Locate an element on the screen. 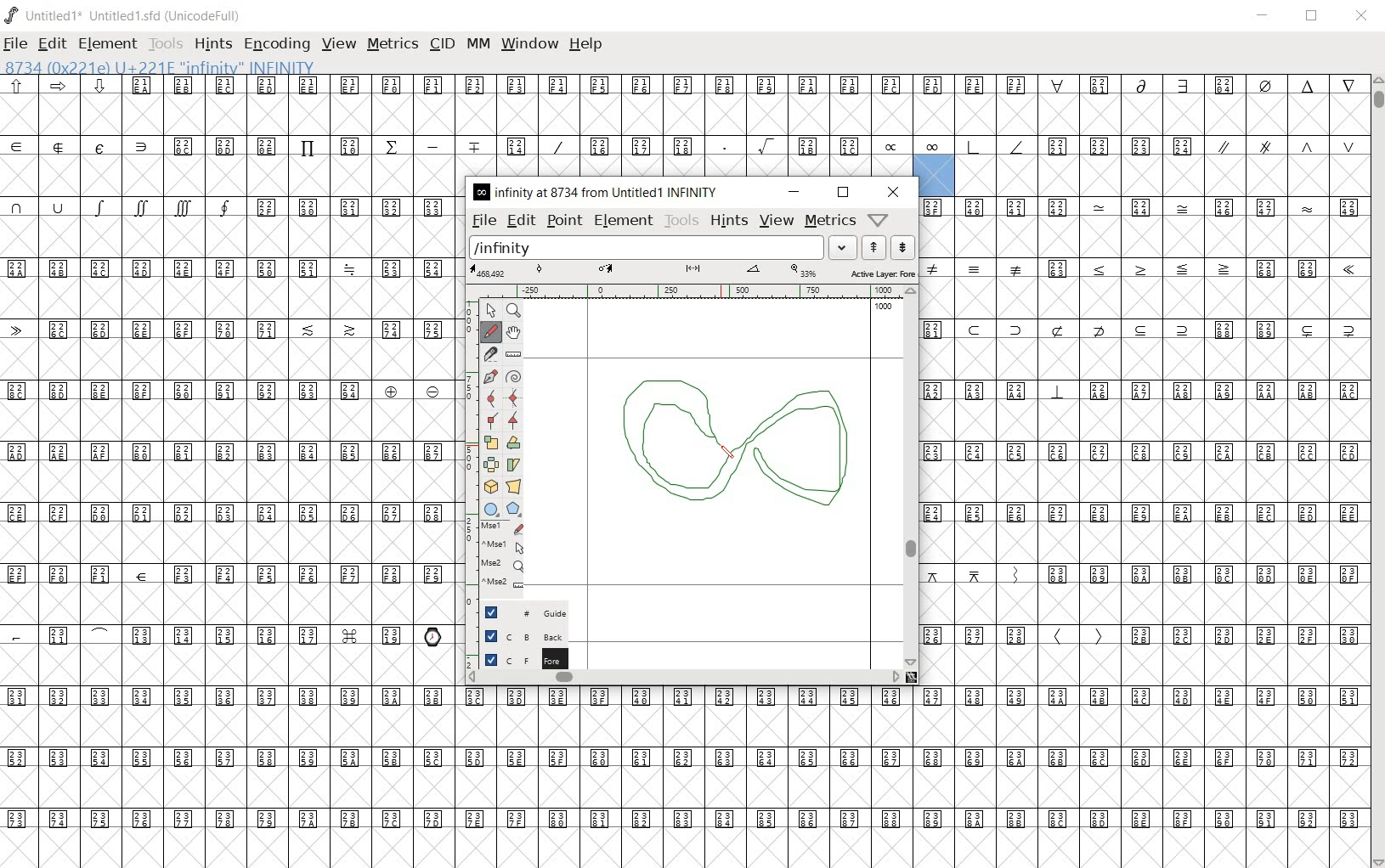 This screenshot has height=868, width=1385. symbol is located at coordinates (1348, 270).